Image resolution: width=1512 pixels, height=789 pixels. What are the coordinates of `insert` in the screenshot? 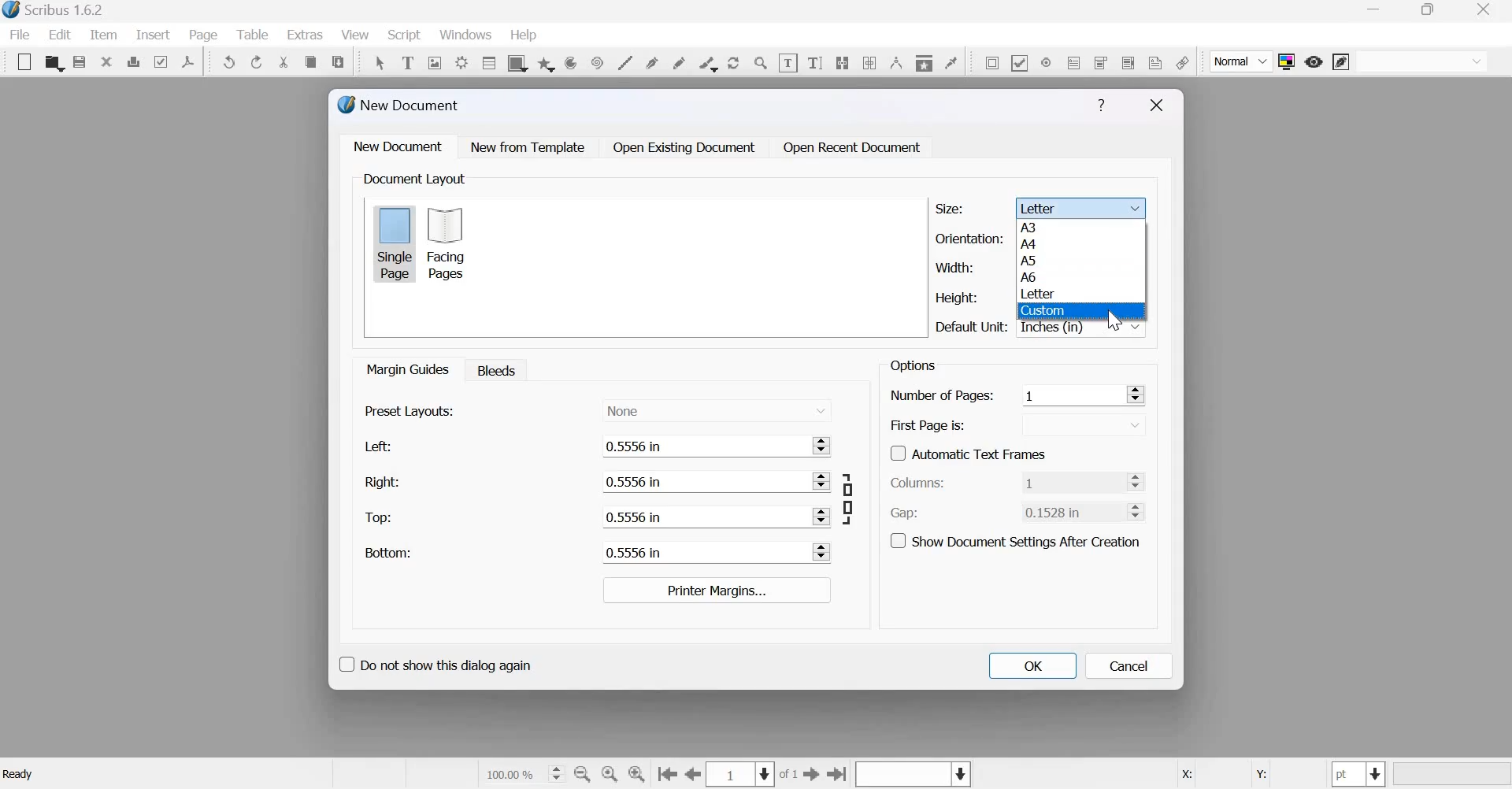 It's located at (153, 34).